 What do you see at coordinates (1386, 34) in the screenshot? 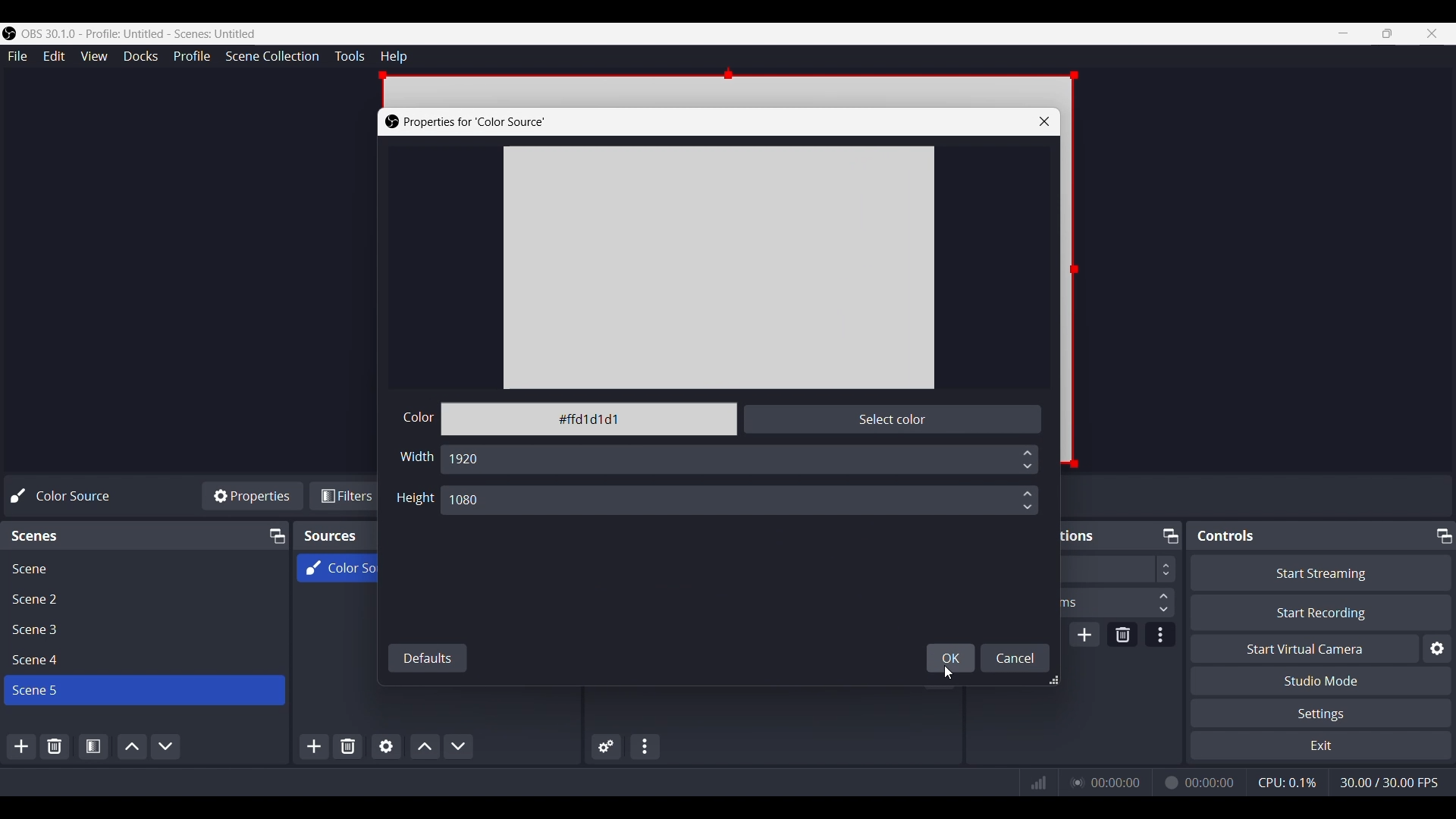
I see `Maximize` at bounding box center [1386, 34].